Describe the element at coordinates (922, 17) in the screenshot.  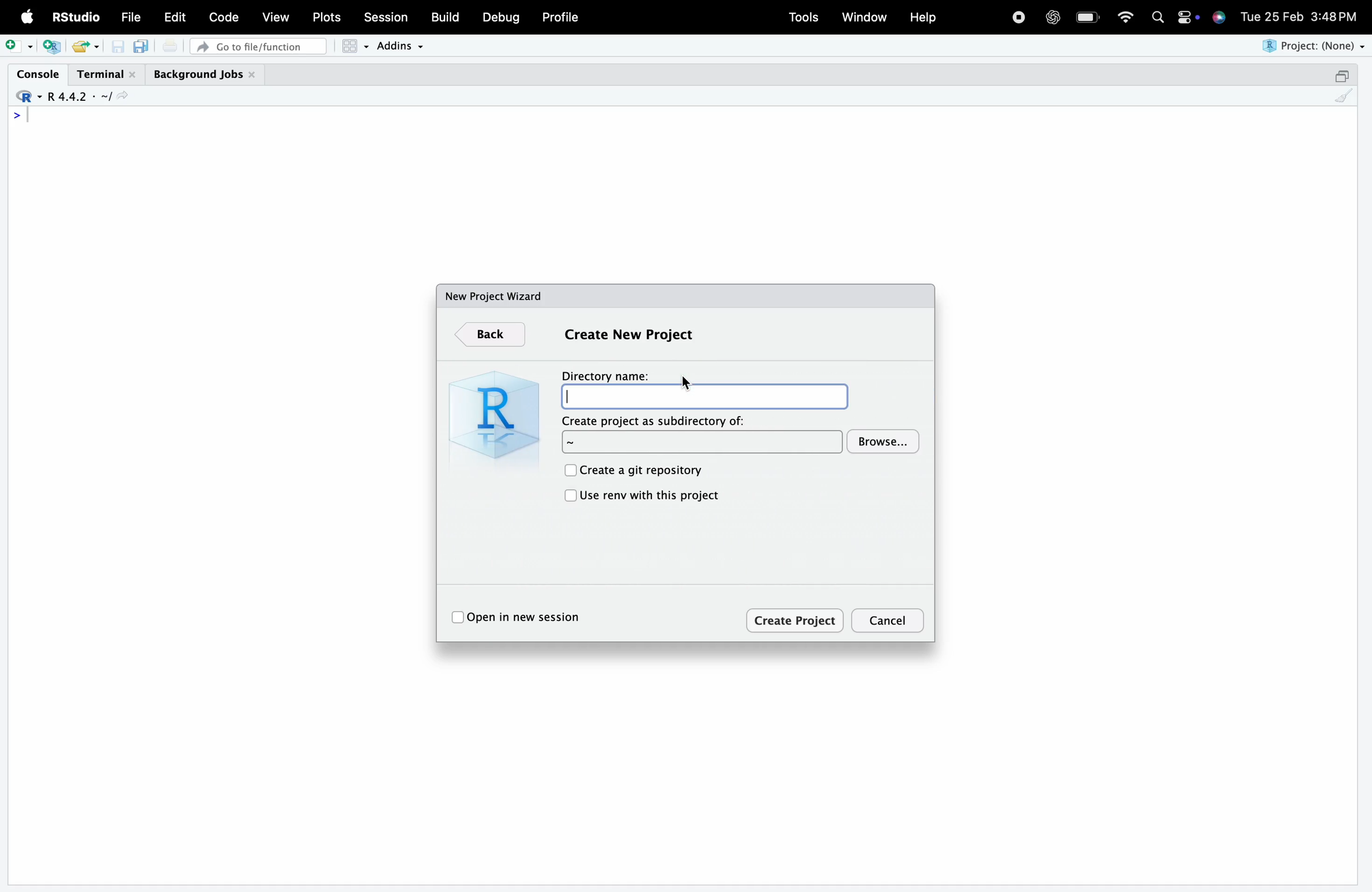
I see `Help` at that location.